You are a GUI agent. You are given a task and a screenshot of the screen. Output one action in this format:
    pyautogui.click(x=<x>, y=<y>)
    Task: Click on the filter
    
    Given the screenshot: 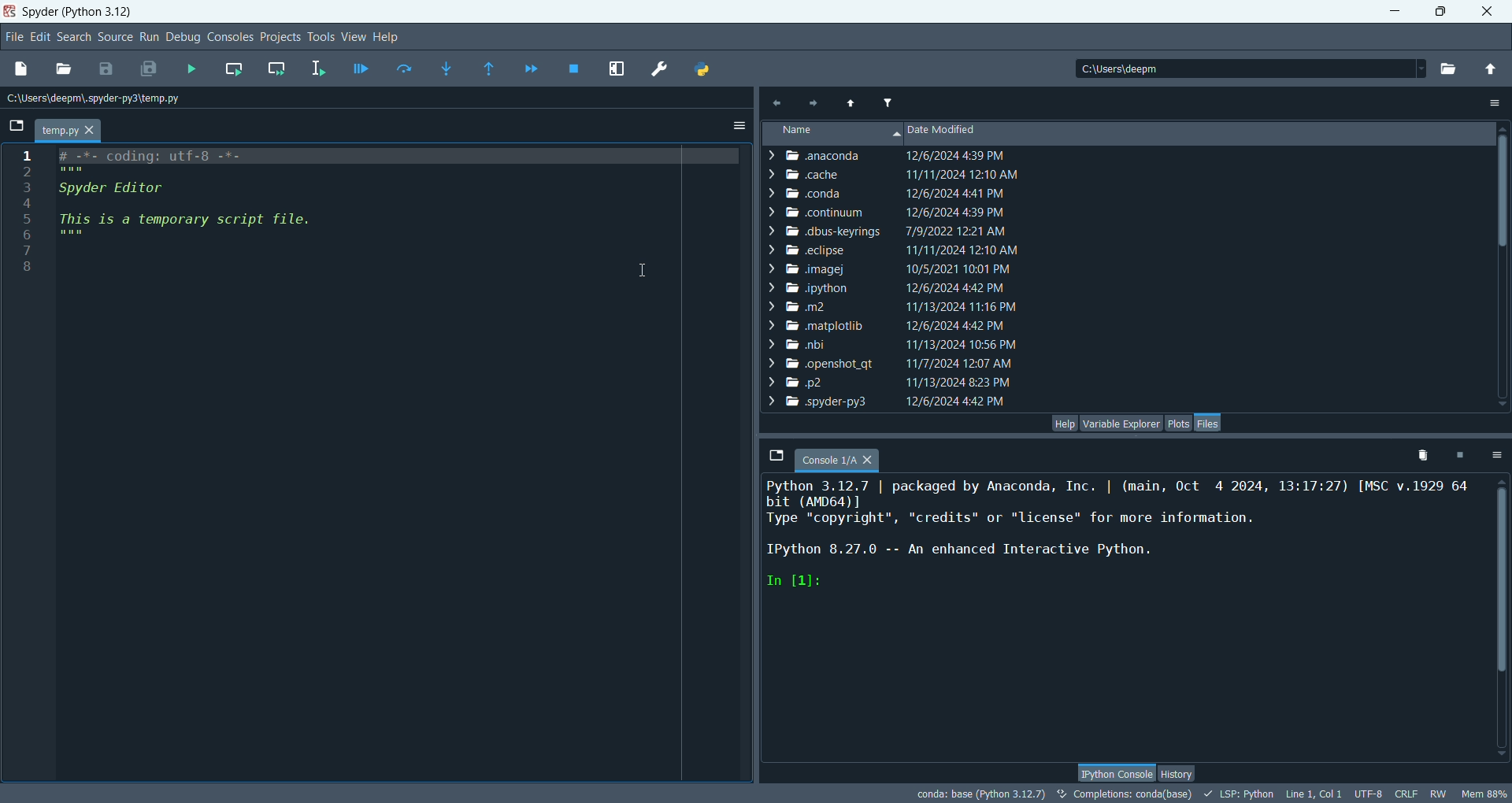 What is the action you would take?
    pyautogui.click(x=894, y=101)
    